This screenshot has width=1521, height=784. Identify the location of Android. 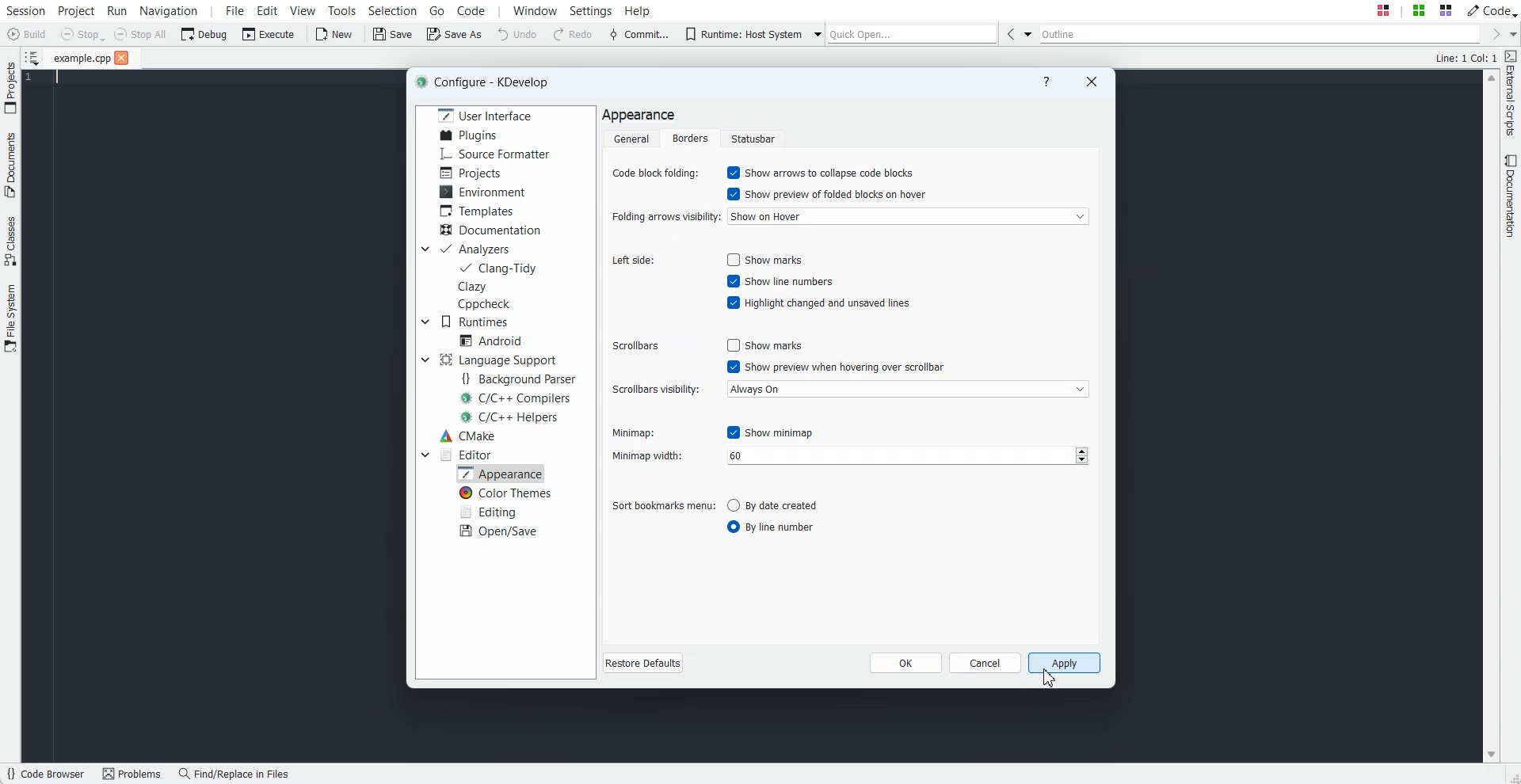
(491, 341).